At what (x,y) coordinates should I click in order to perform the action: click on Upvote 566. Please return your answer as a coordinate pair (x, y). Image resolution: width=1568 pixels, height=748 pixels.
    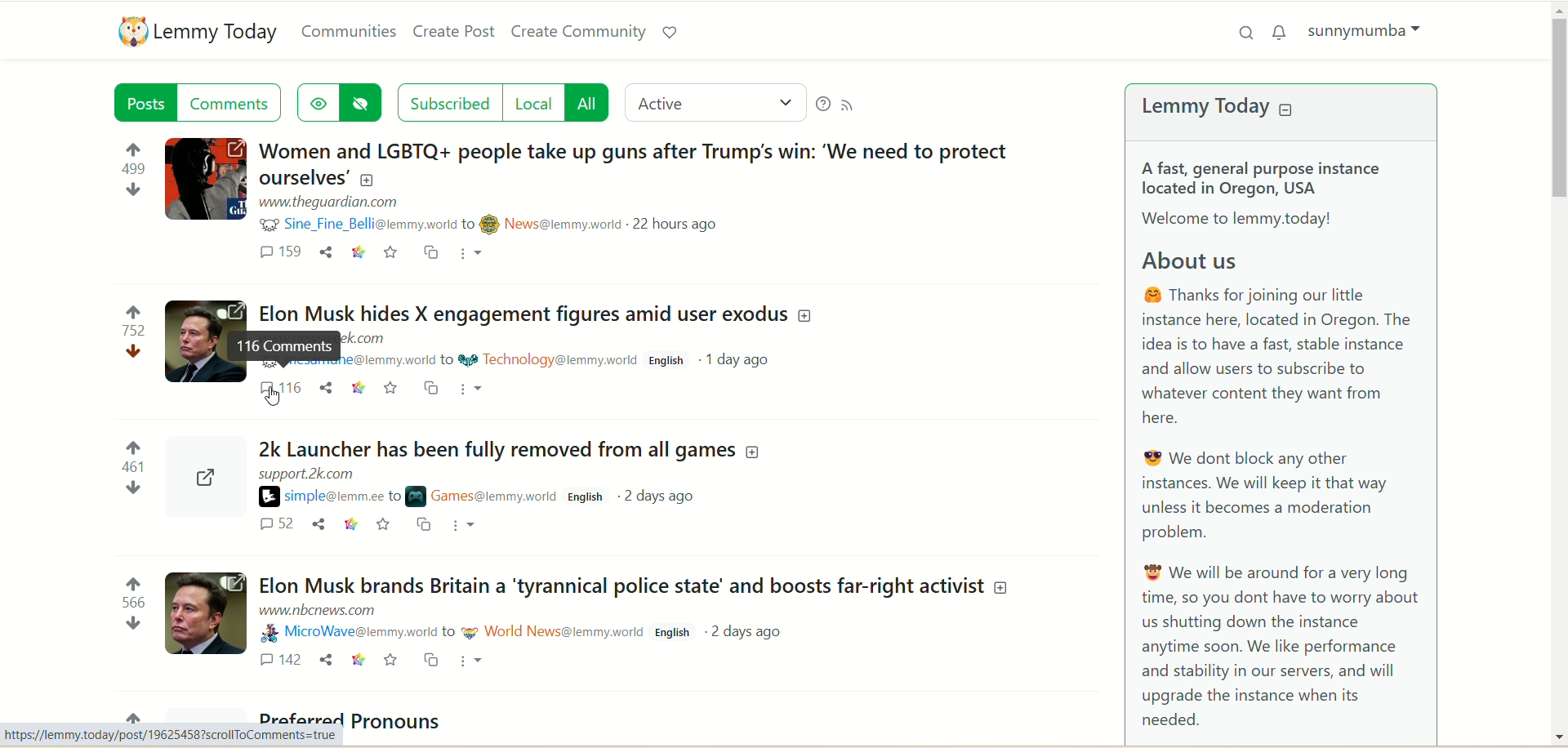
    Looking at the image, I should click on (132, 592).